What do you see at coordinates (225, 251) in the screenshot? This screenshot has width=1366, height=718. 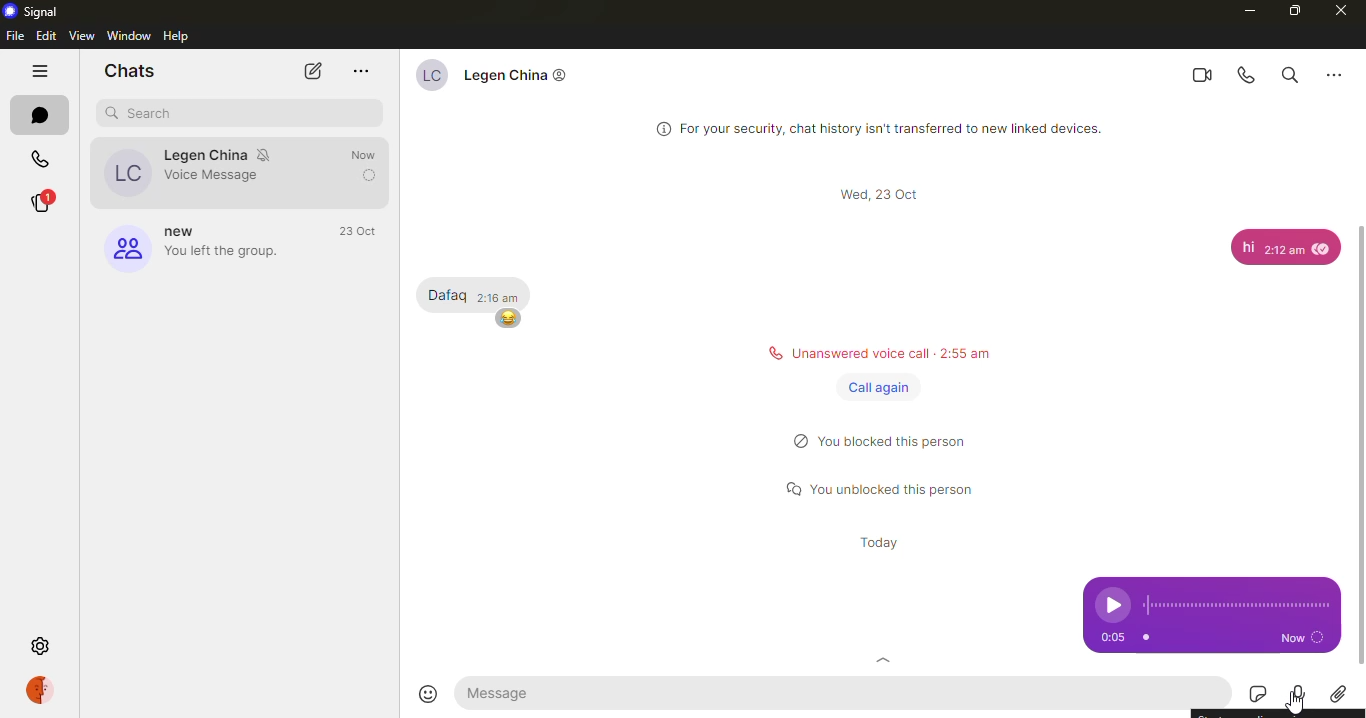 I see `‘You left the group.` at bounding box center [225, 251].